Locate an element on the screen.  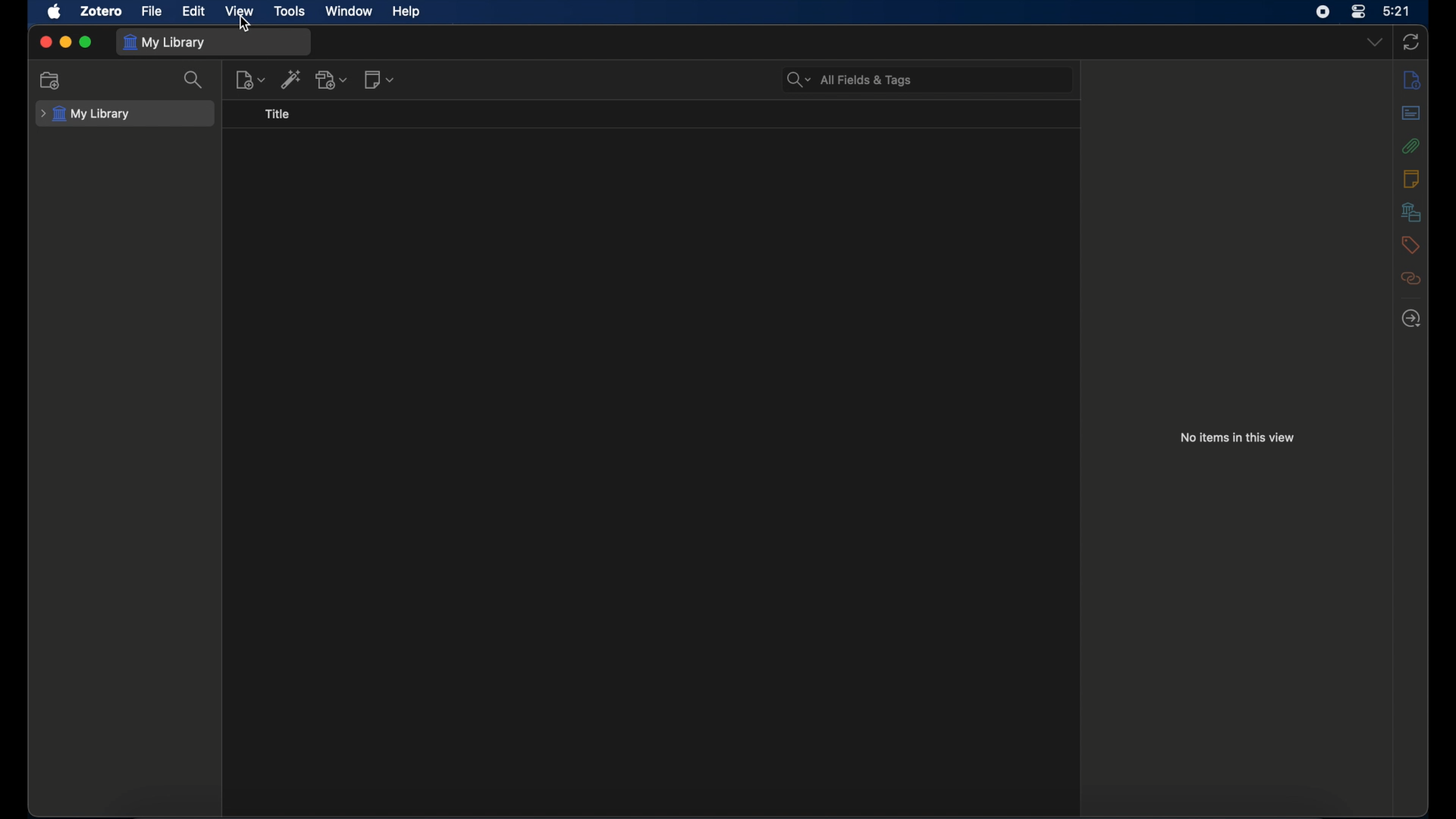
no items in this view is located at coordinates (1238, 437).